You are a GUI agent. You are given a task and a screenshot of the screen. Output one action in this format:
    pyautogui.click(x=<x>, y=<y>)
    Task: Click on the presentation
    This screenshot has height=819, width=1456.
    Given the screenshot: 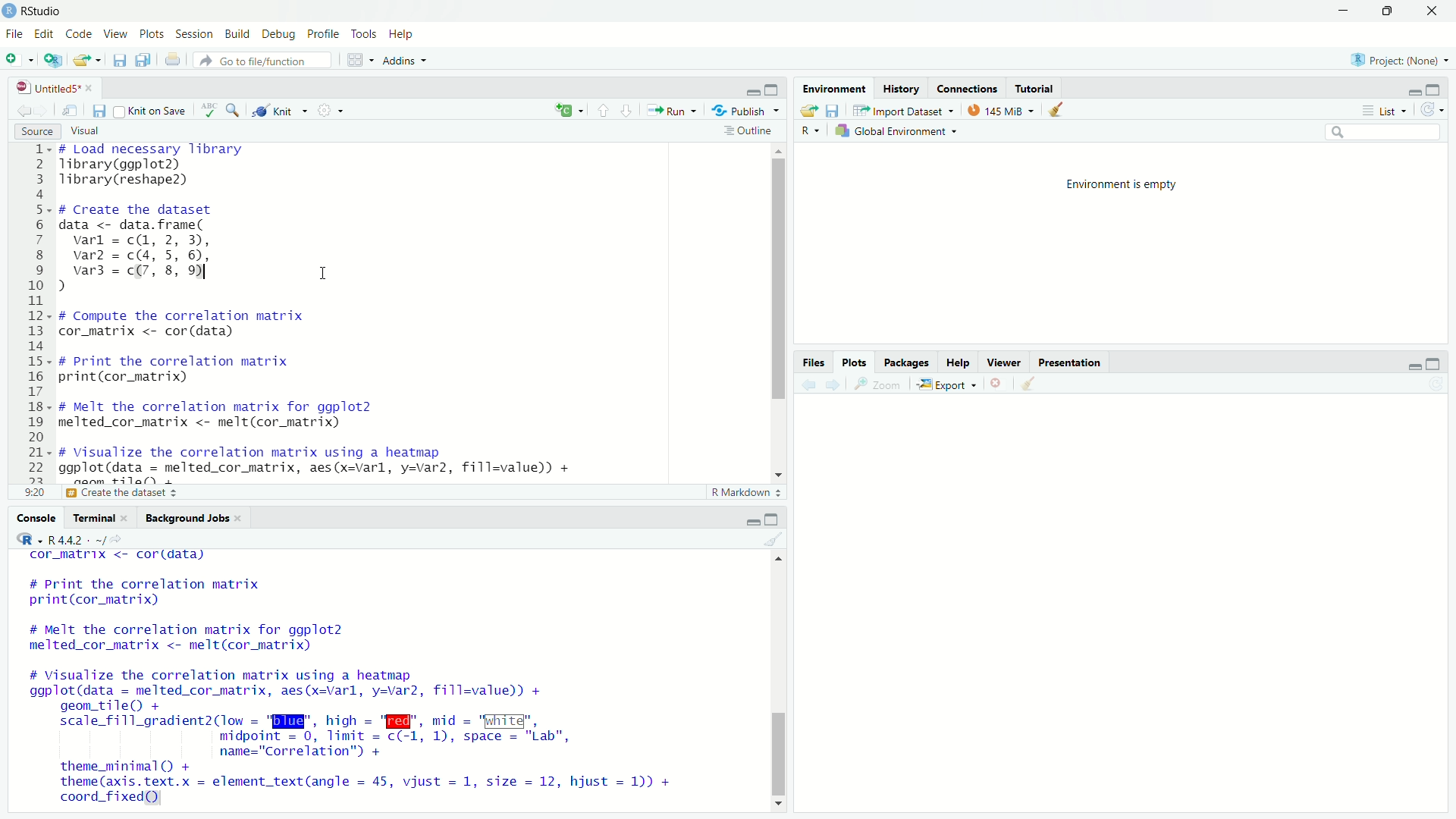 What is the action you would take?
    pyautogui.click(x=1069, y=362)
    